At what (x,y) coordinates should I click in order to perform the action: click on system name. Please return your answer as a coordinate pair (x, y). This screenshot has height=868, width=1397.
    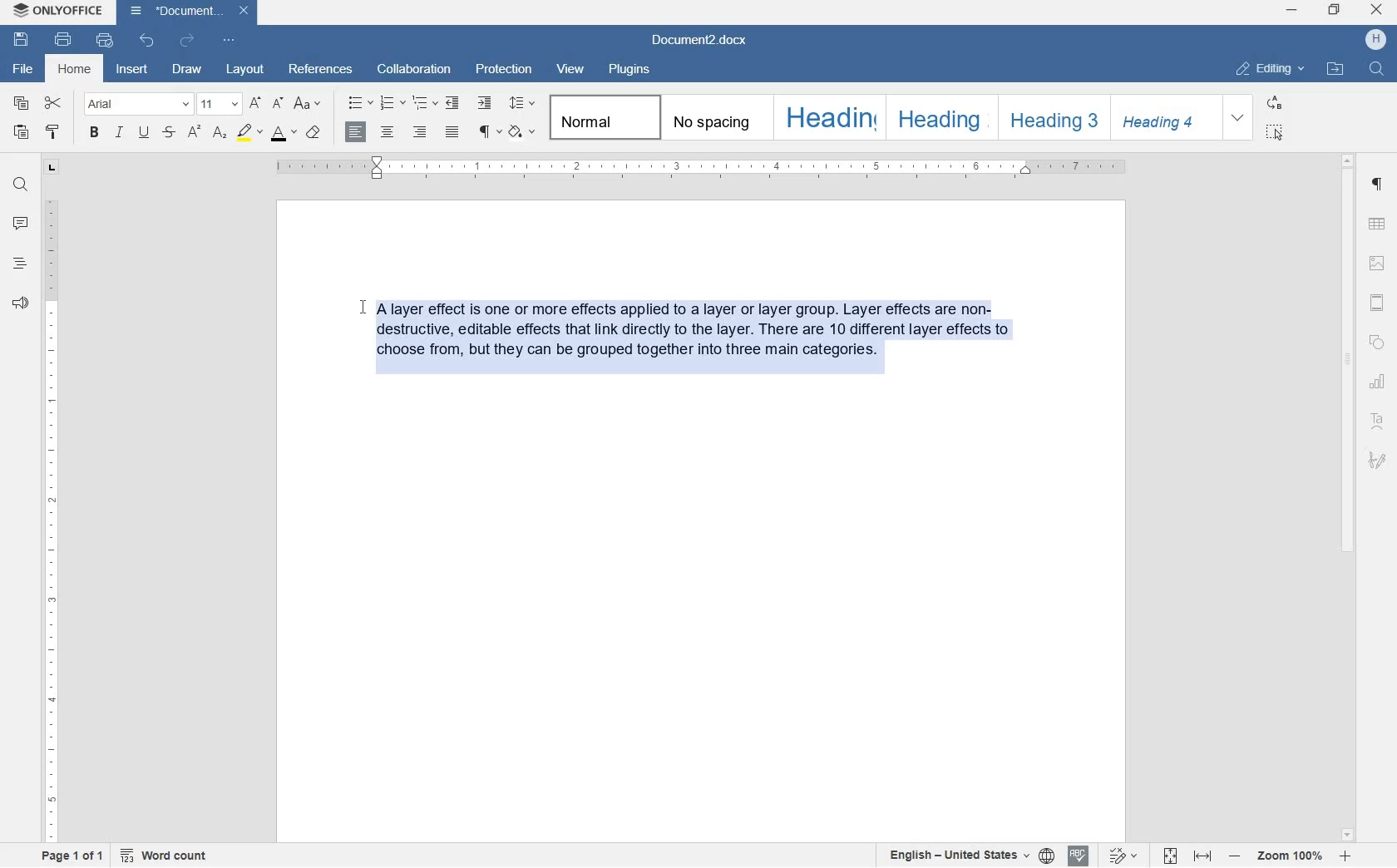
    Looking at the image, I should click on (57, 12).